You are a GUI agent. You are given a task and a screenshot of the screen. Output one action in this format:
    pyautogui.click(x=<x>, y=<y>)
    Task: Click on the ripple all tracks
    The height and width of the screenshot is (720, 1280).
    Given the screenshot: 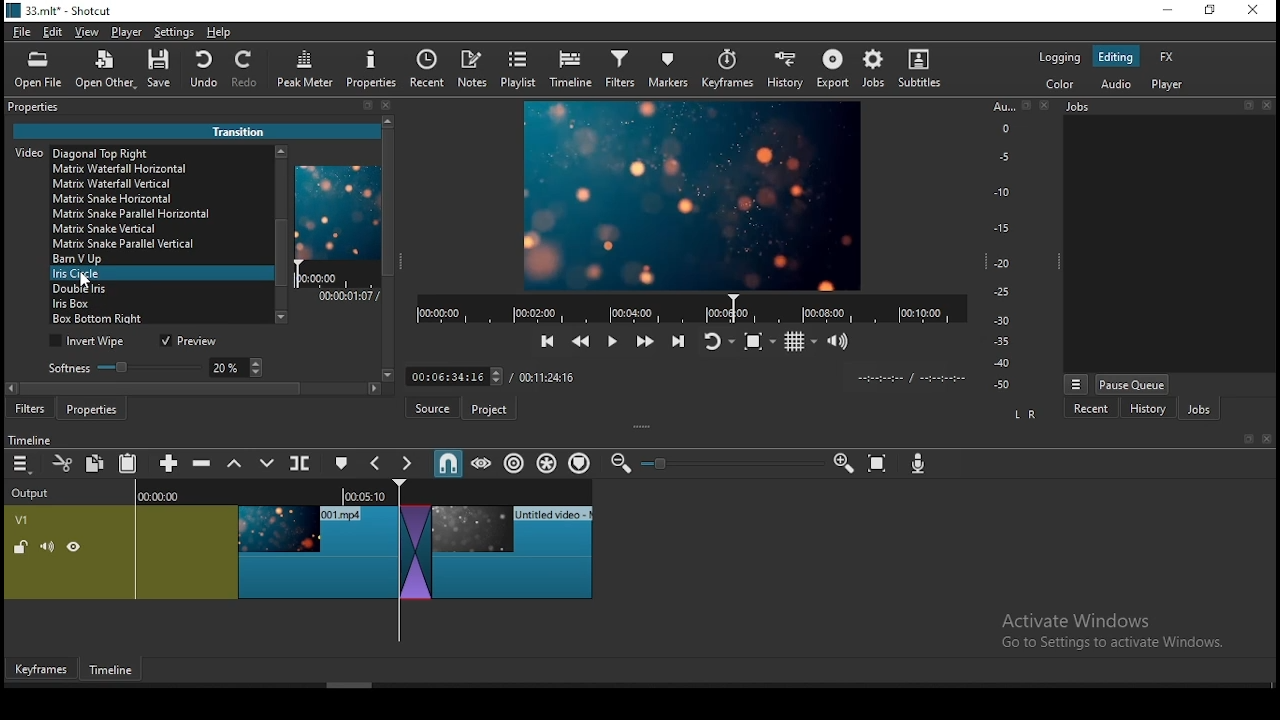 What is the action you would take?
    pyautogui.click(x=548, y=462)
    